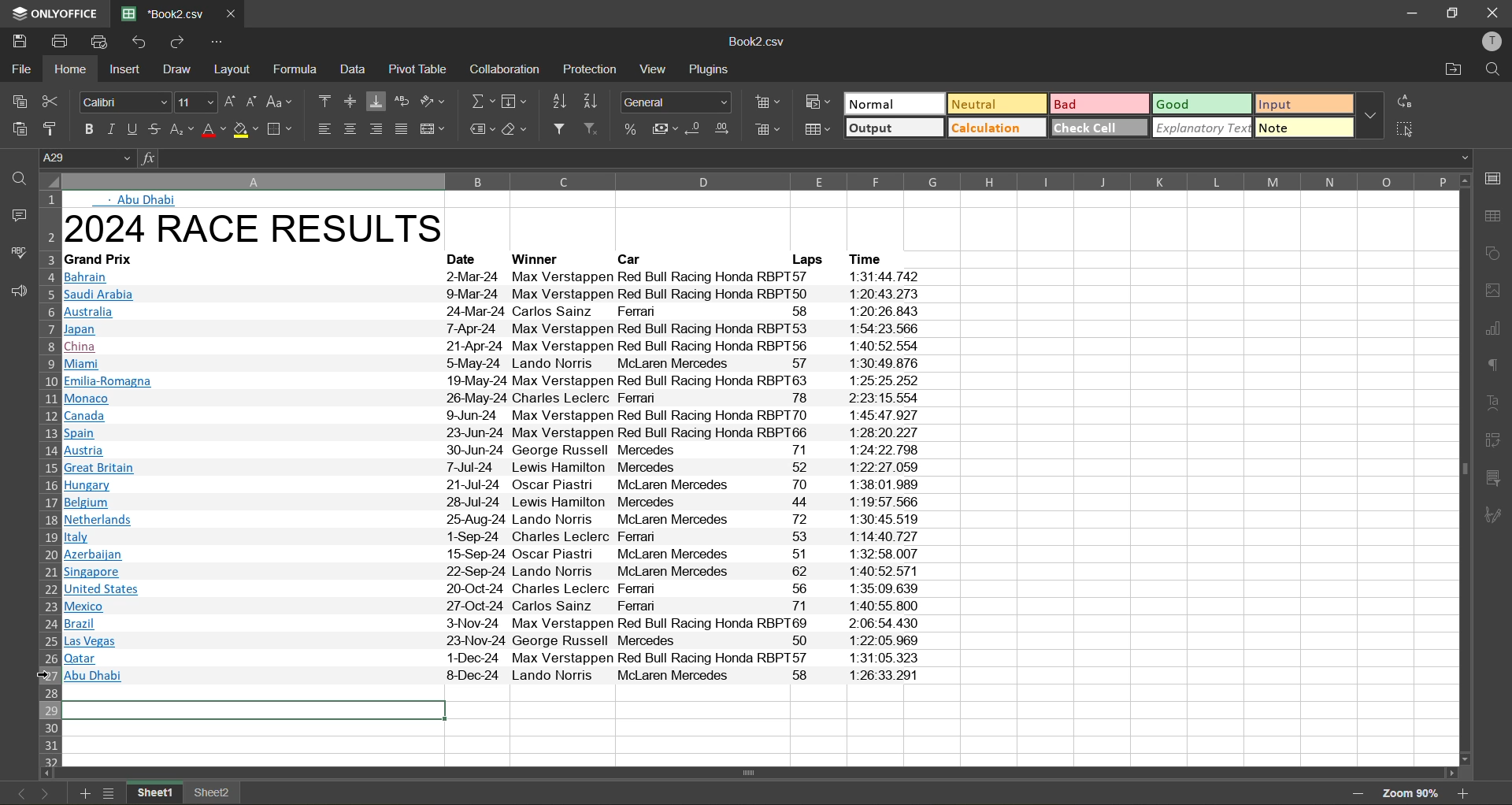 The width and height of the screenshot is (1512, 805). Describe the element at coordinates (1358, 791) in the screenshot. I see `zoom out` at that location.